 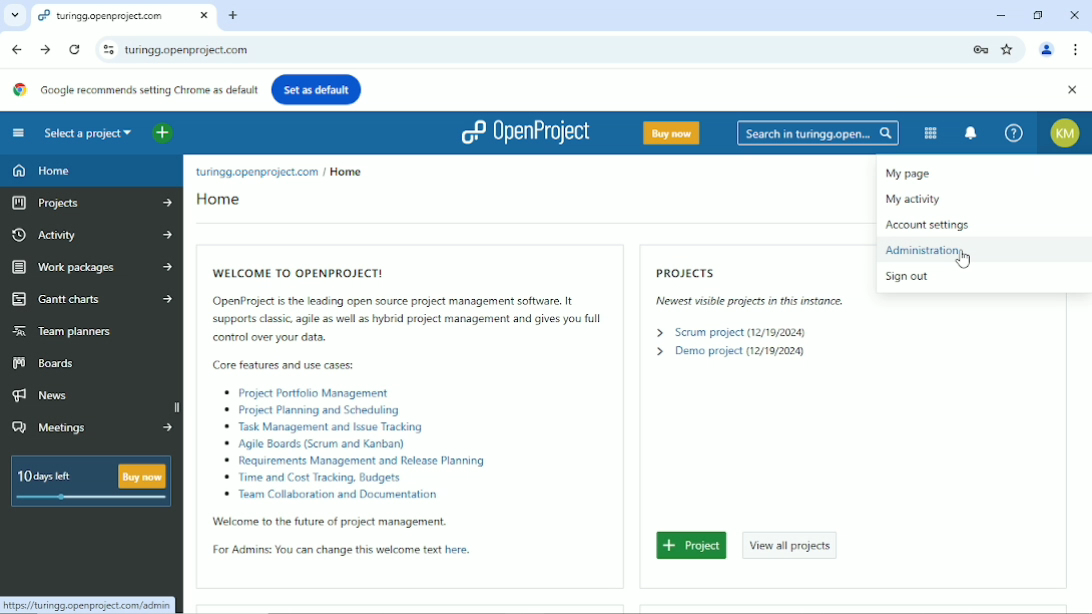 What do you see at coordinates (315, 443) in the screenshot?
I see `‘o Agile Boards (Scrum and Kanban)` at bounding box center [315, 443].